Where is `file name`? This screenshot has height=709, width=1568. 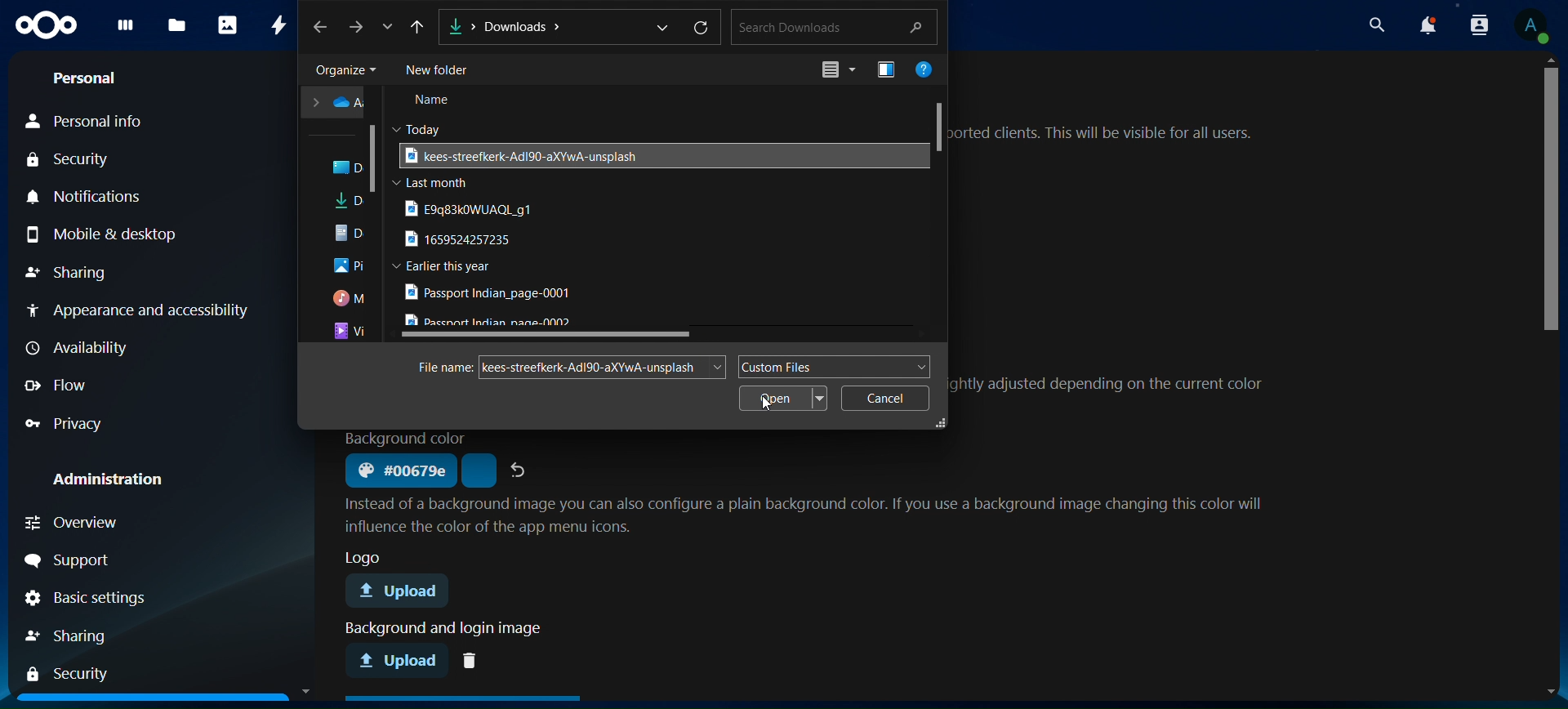 file name is located at coordinates (589, 366).